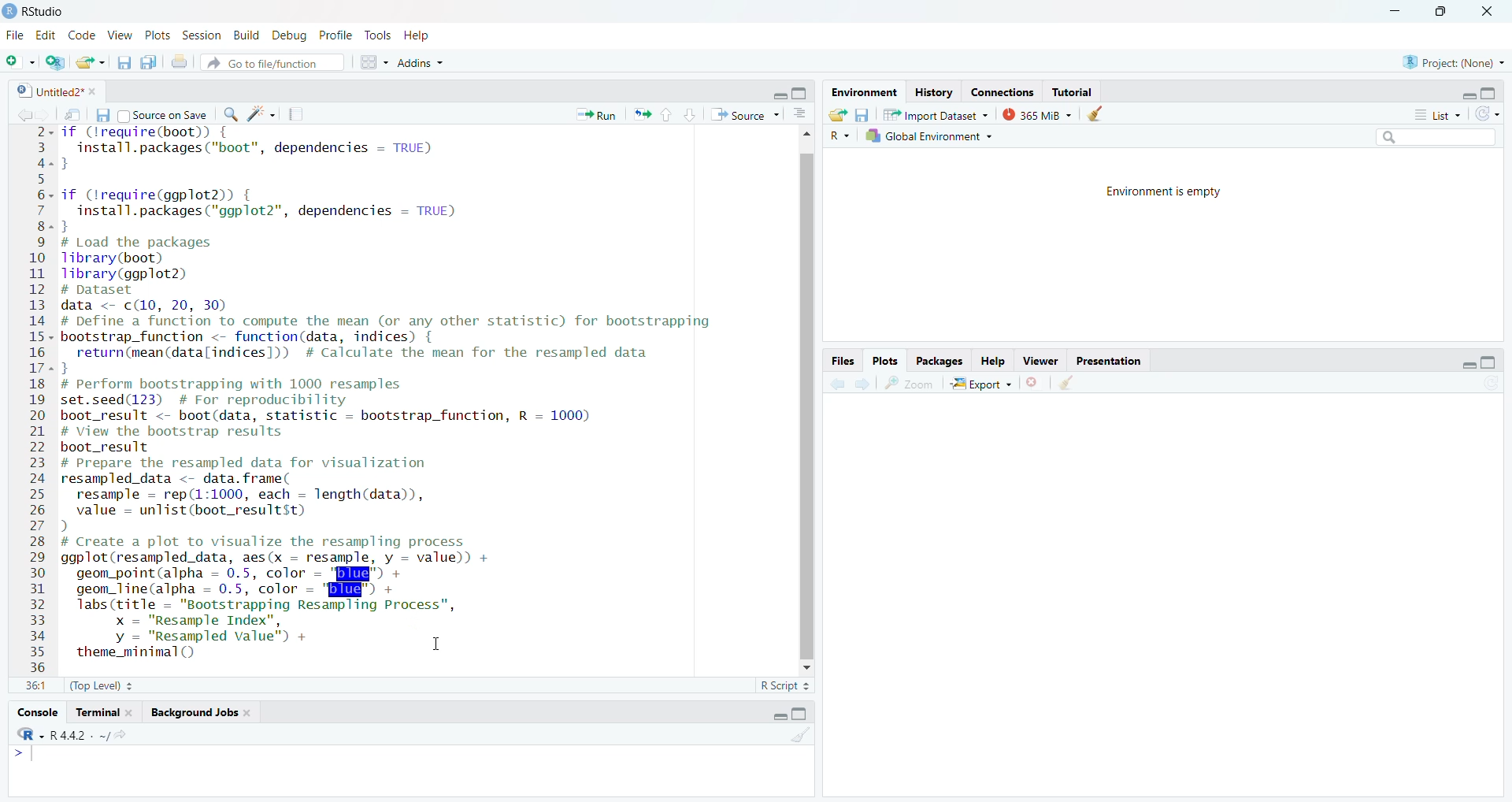  Describe the element at coordinates (781, 715) in the screenshot. I see `hide r script` at that location.